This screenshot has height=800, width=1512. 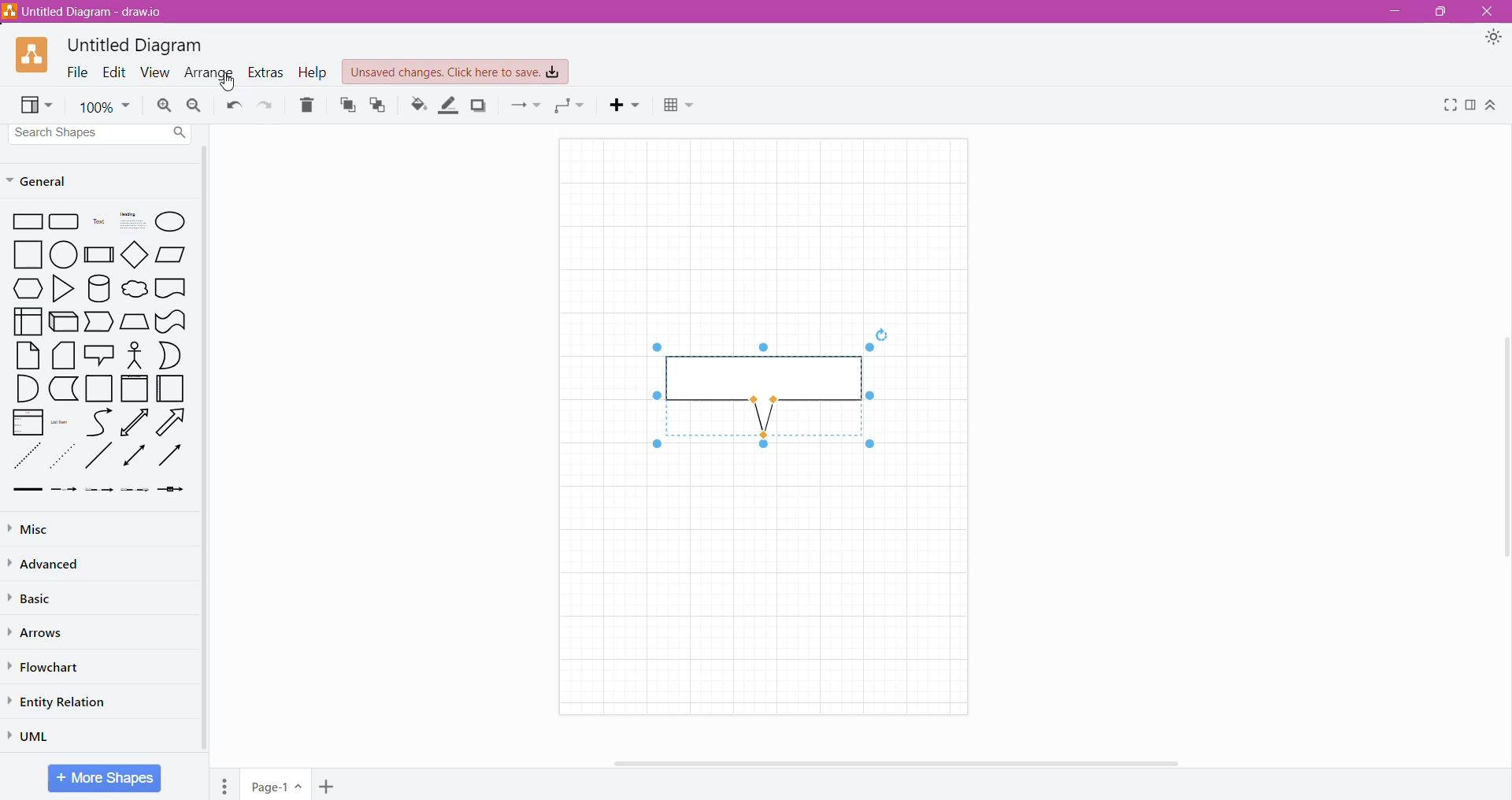 I want to click on View, so click(x=156, y=72).